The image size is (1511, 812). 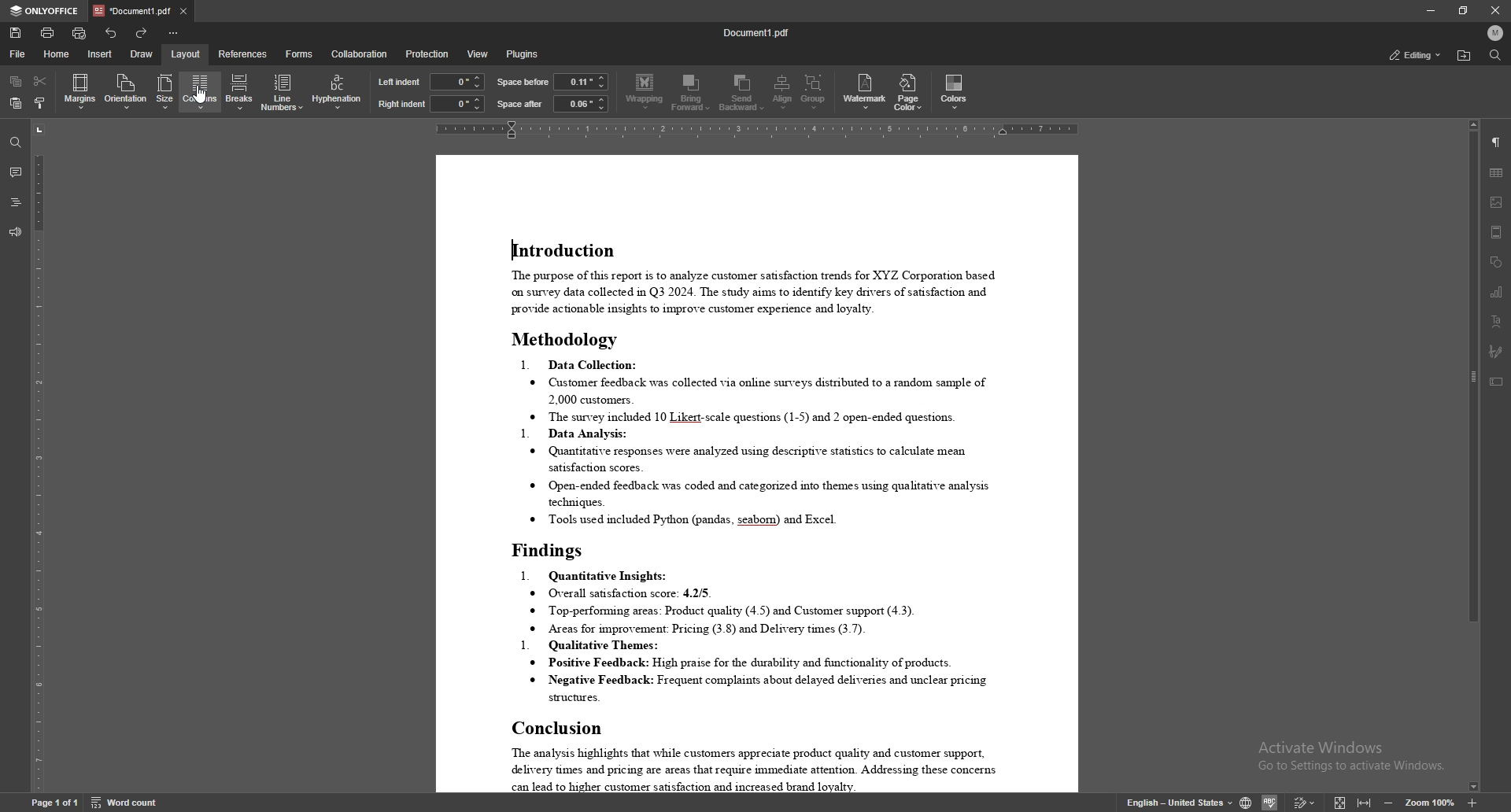 I want to click on collaboration, so click(x=359, y=54).